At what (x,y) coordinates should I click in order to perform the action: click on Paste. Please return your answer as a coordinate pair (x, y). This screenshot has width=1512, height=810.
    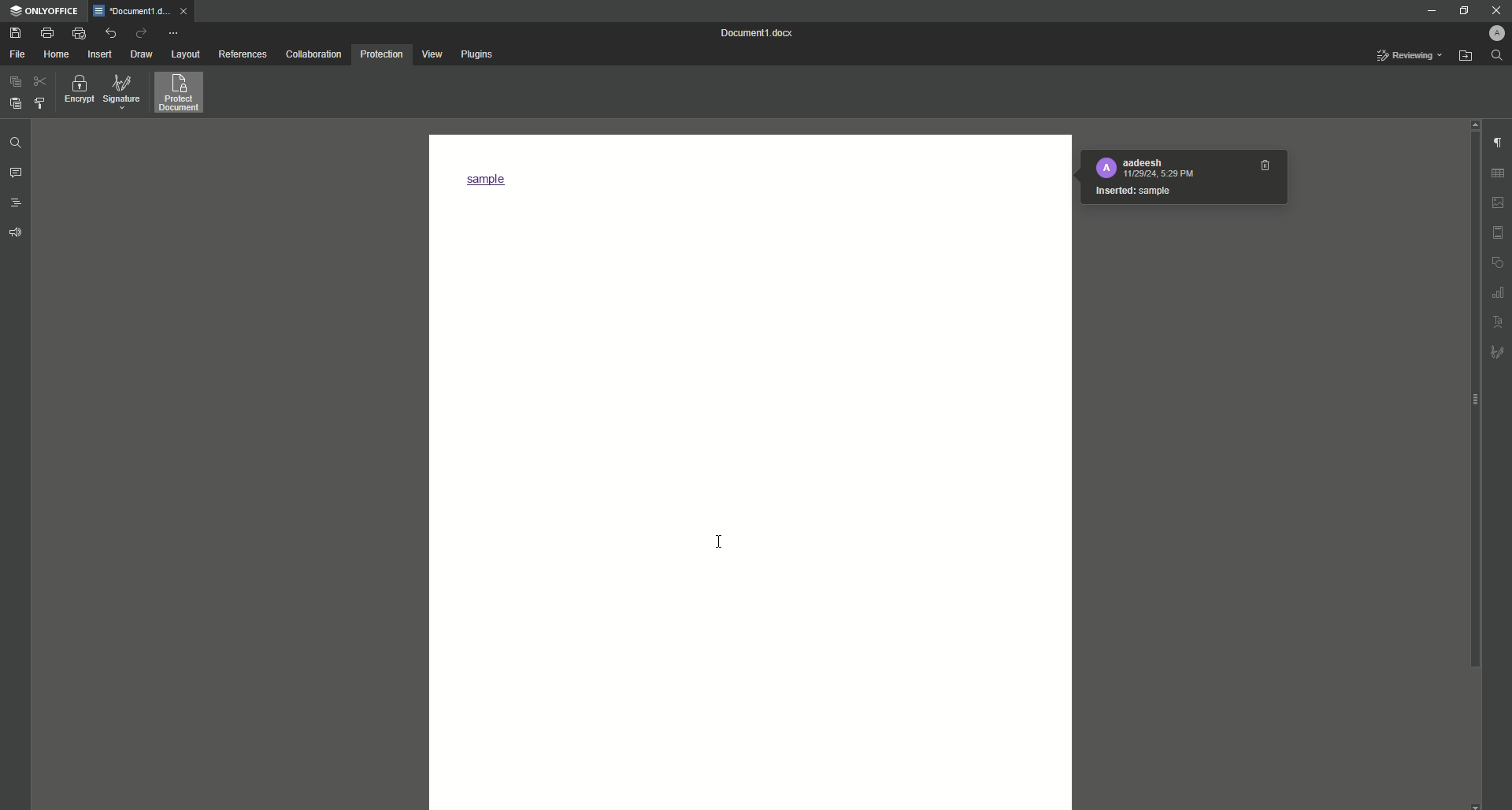
    Looking at the image, I should click on (13, 103).